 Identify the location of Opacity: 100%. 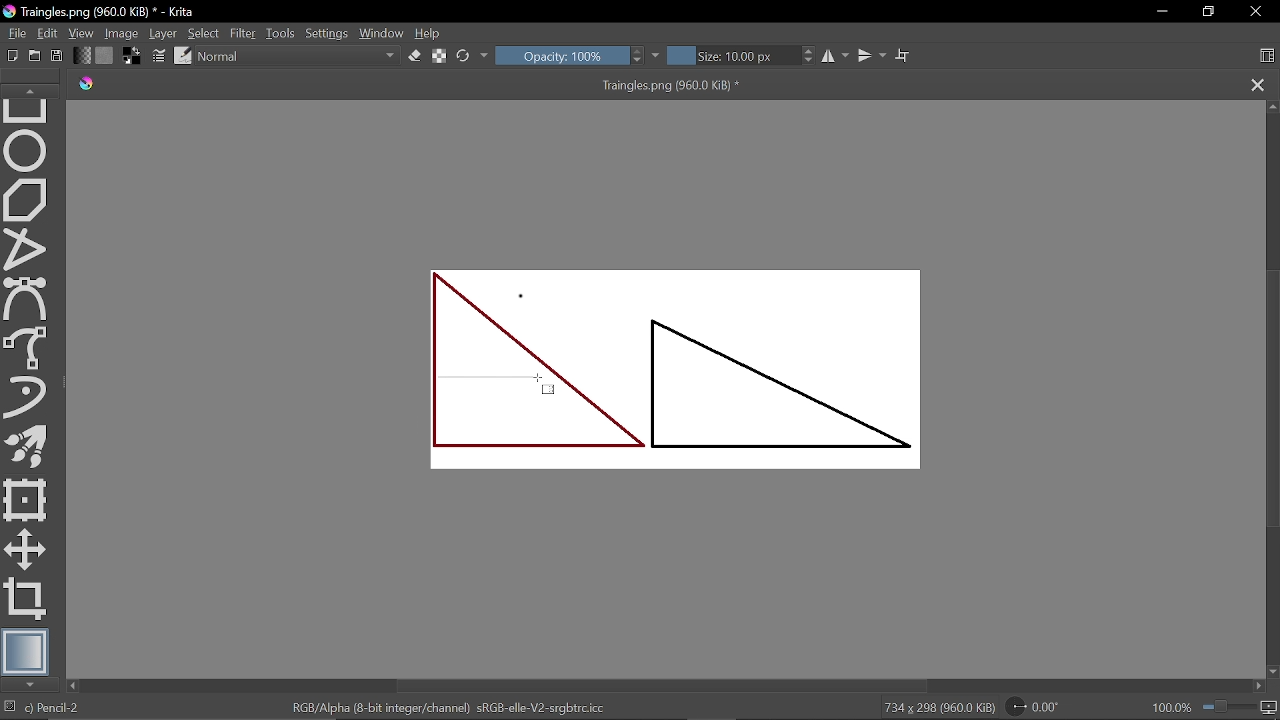
(561, 57).